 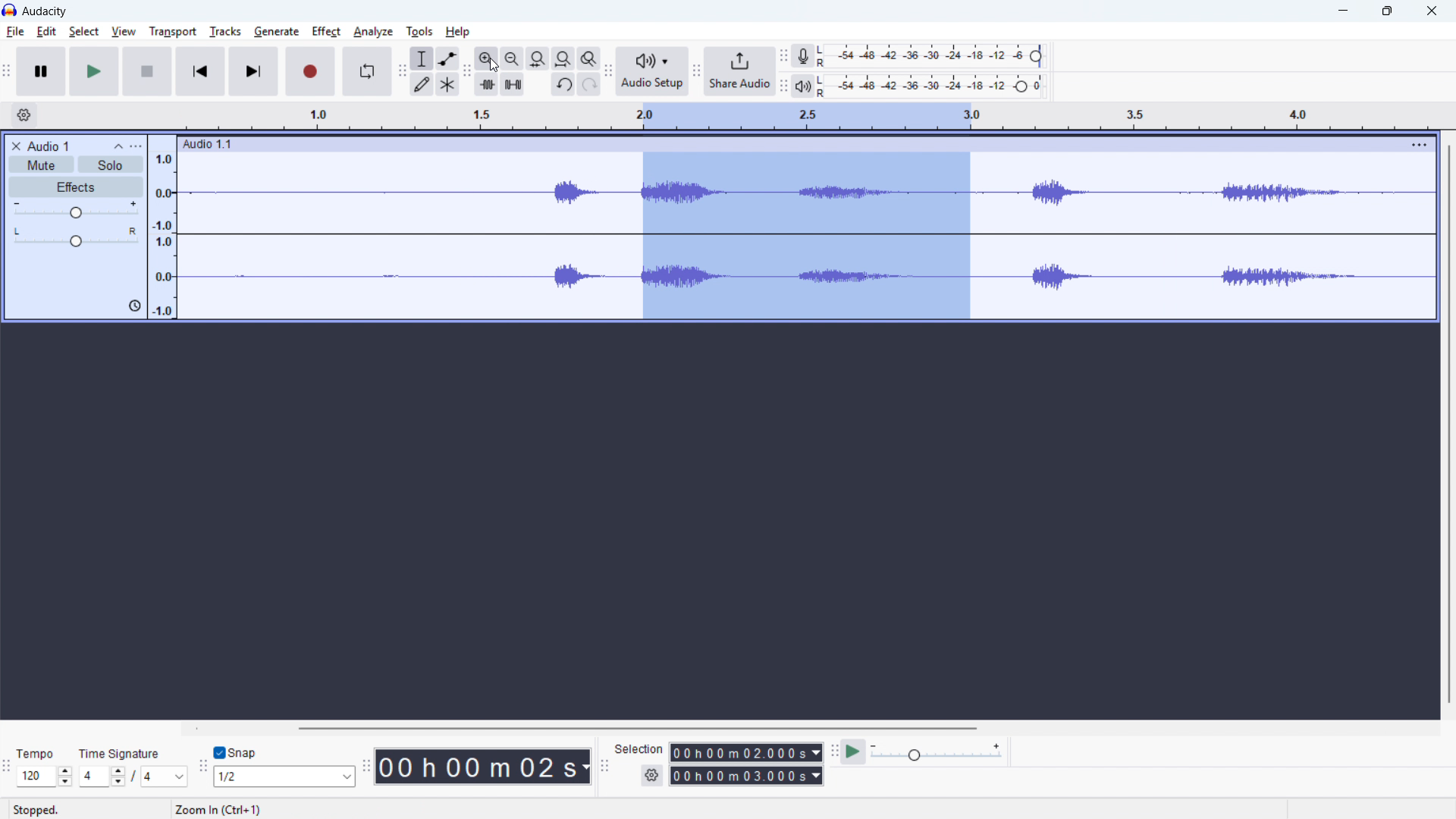 I want to click on Share audio toolbar, so click(x=697, y=72).